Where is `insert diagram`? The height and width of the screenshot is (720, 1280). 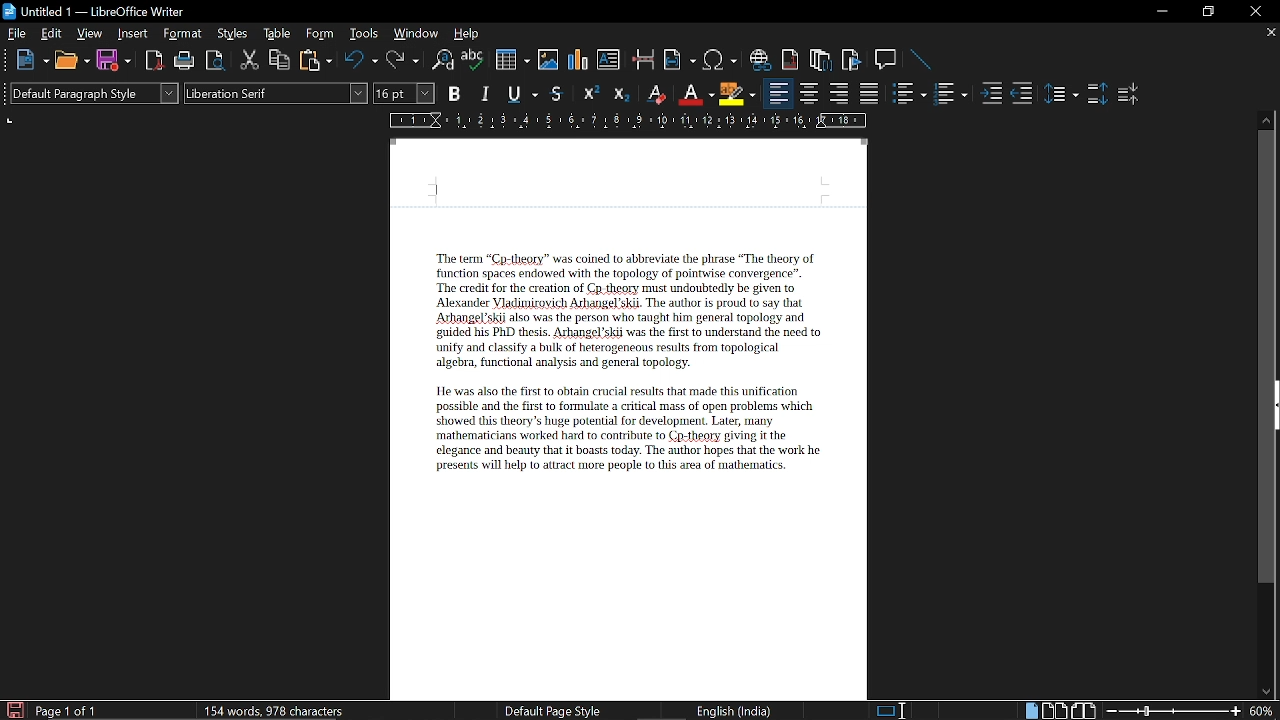
insert diagram is located at coordinates (578, 59).